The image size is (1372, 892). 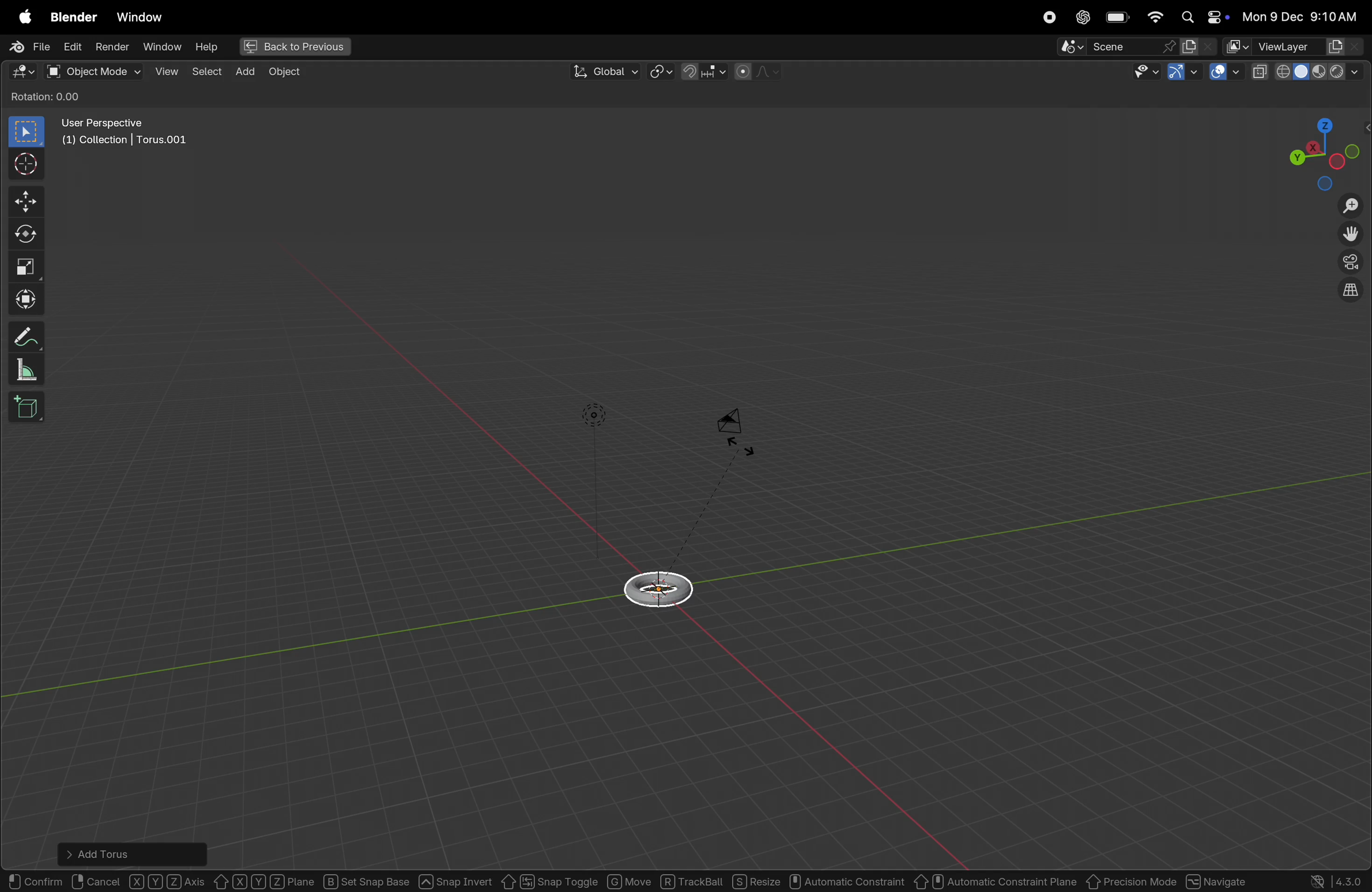 What do you see at coordinates (205, 70) in the screenshot?
I see `select` at bounding box center [205, 70].